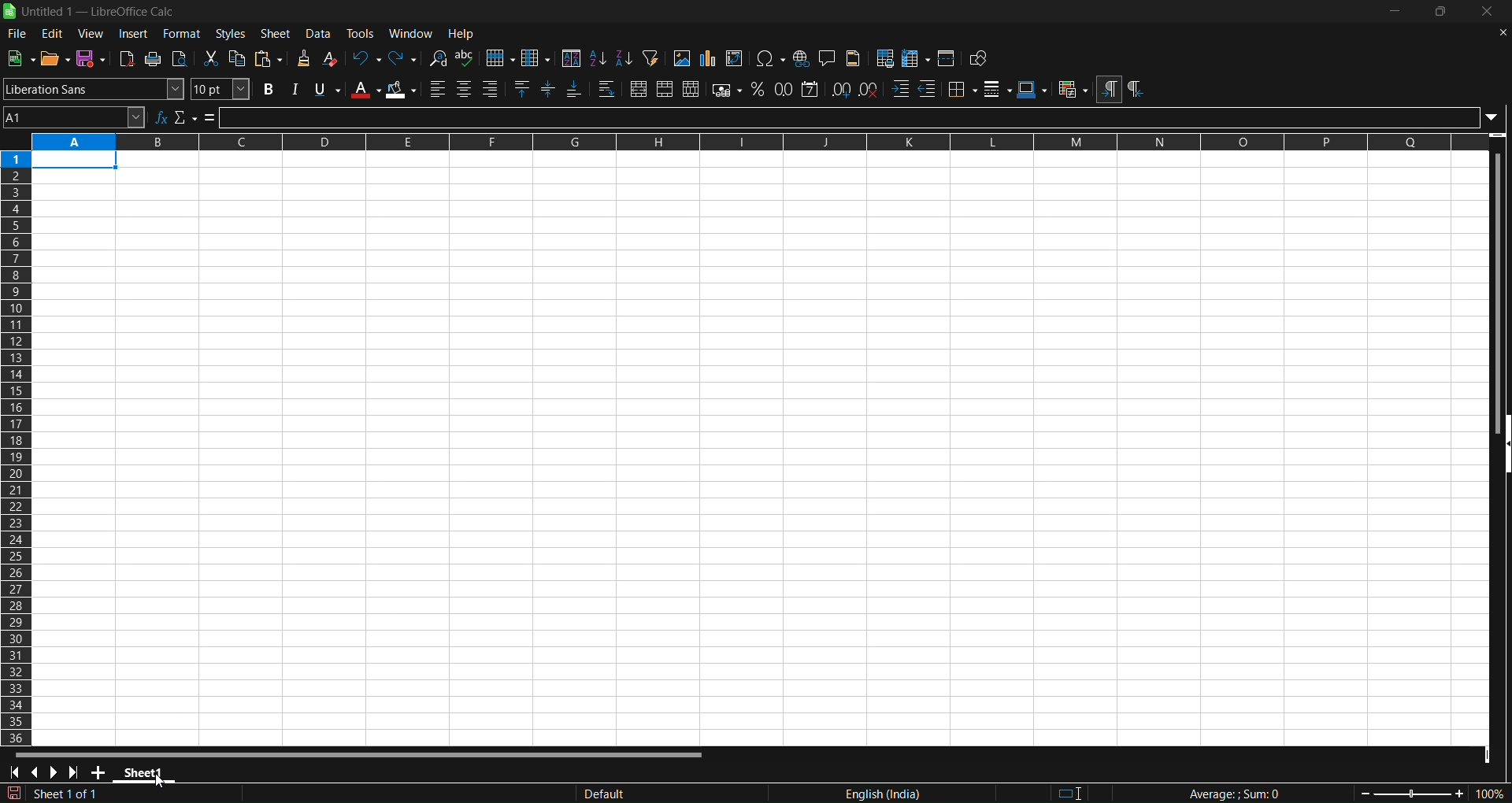 Image resolution: width=1512 pixels, height=803 pixels. What do you see at coordinates (1489, 13) in the screenshot?
I see `close` at bounding box center [1489, 13].